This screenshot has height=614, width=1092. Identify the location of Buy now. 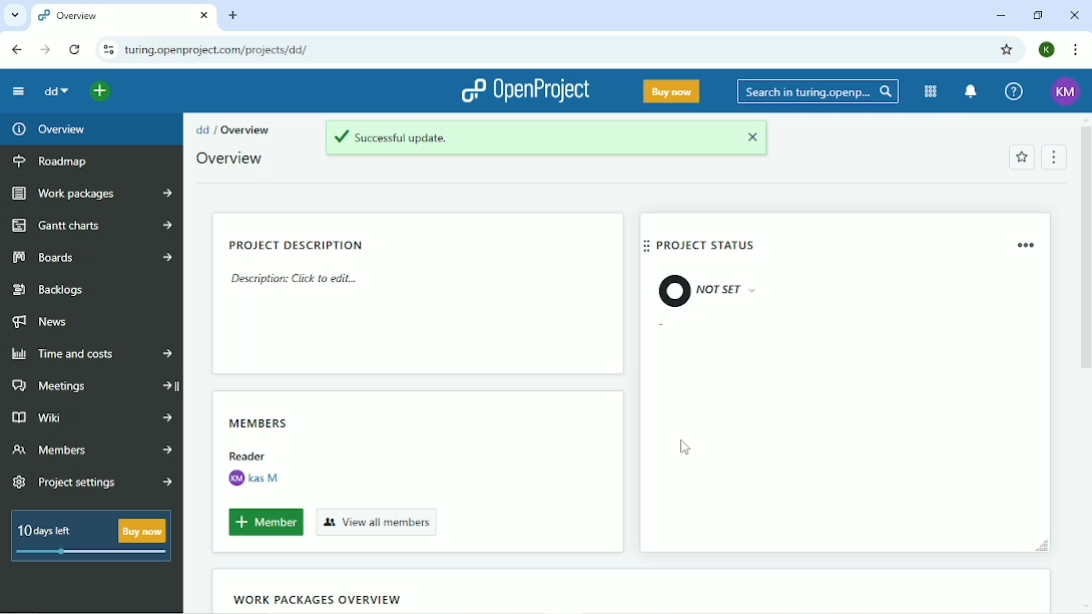
(672, 92).